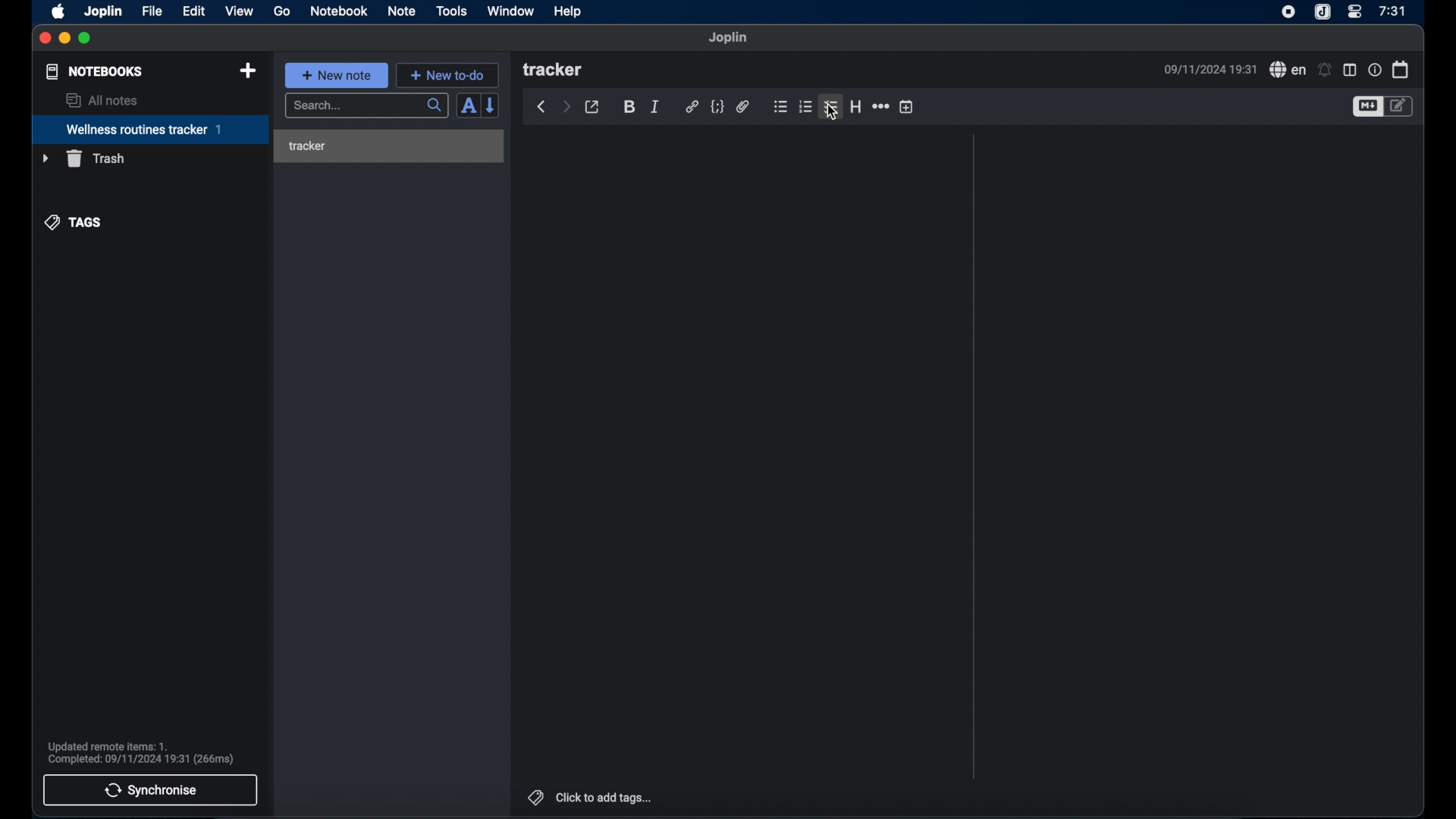 The image size is (1456, 819). What do you see at coordinates (533, 795) in the screenshot?
I see `tags` at bounding box center [533, 795].